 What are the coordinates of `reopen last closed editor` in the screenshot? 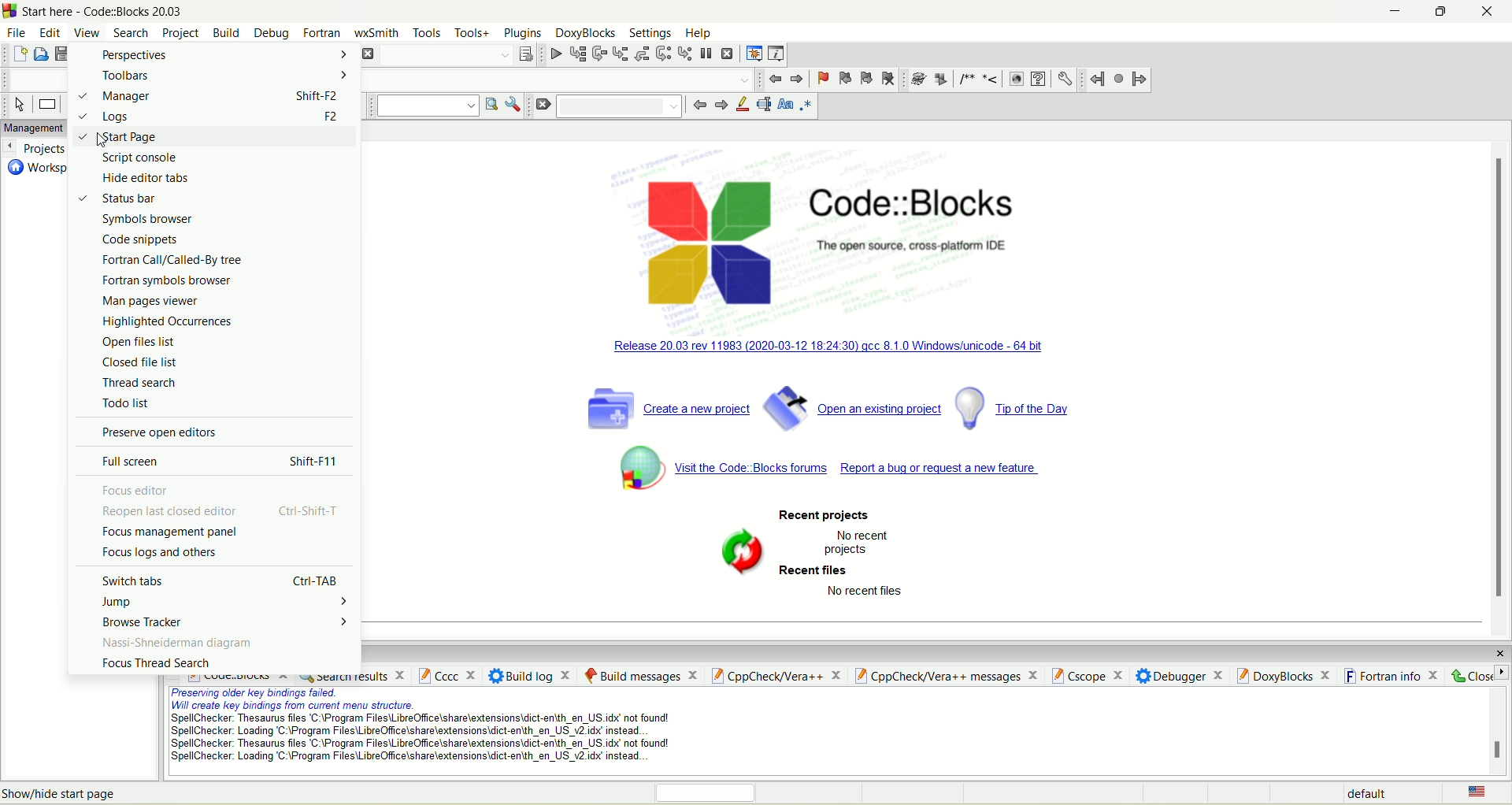 It's located at (221, 511).